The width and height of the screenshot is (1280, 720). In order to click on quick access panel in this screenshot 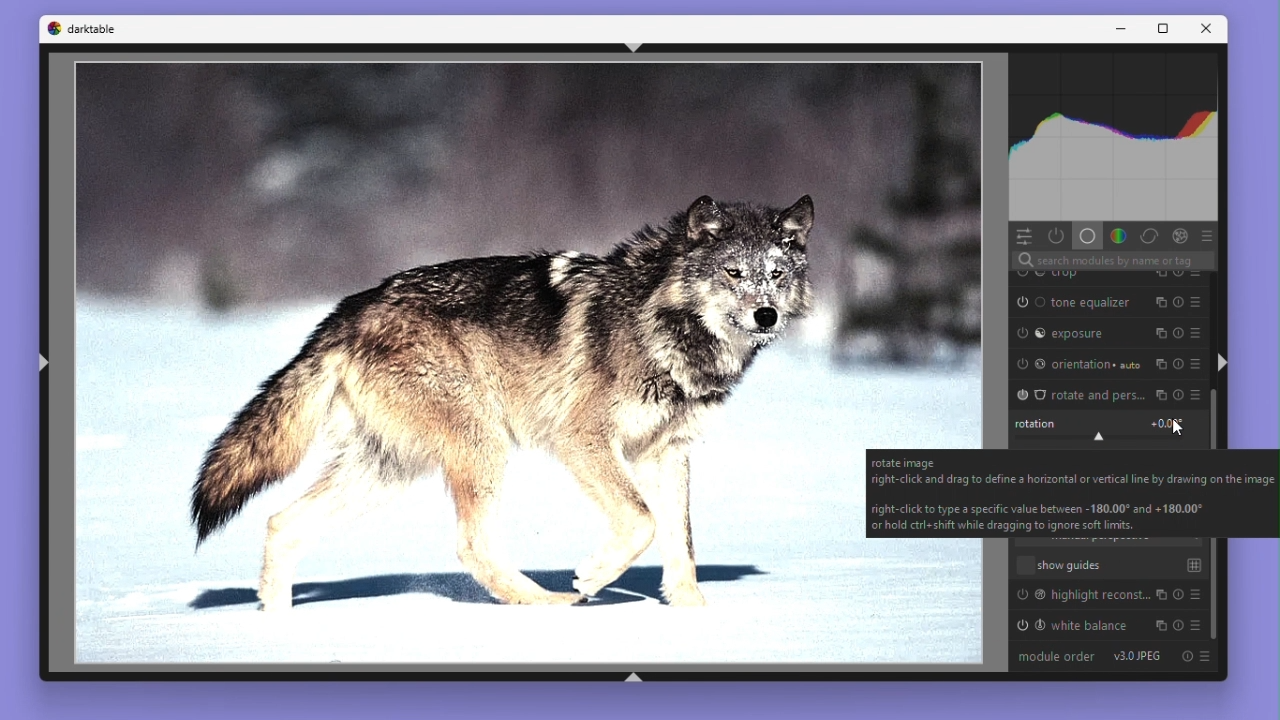, I will do `click(1026, 235)`.